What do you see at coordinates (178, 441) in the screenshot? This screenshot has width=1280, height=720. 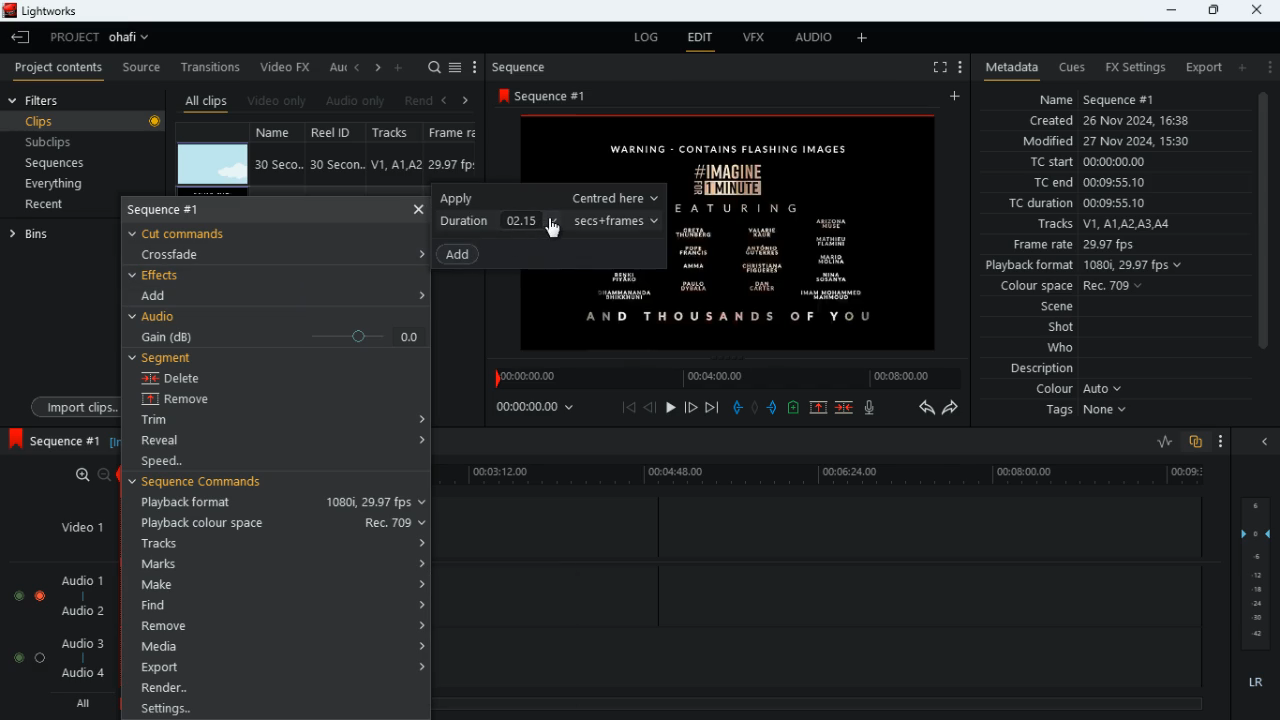 I see `reveal` at bounding box center [178, 441].